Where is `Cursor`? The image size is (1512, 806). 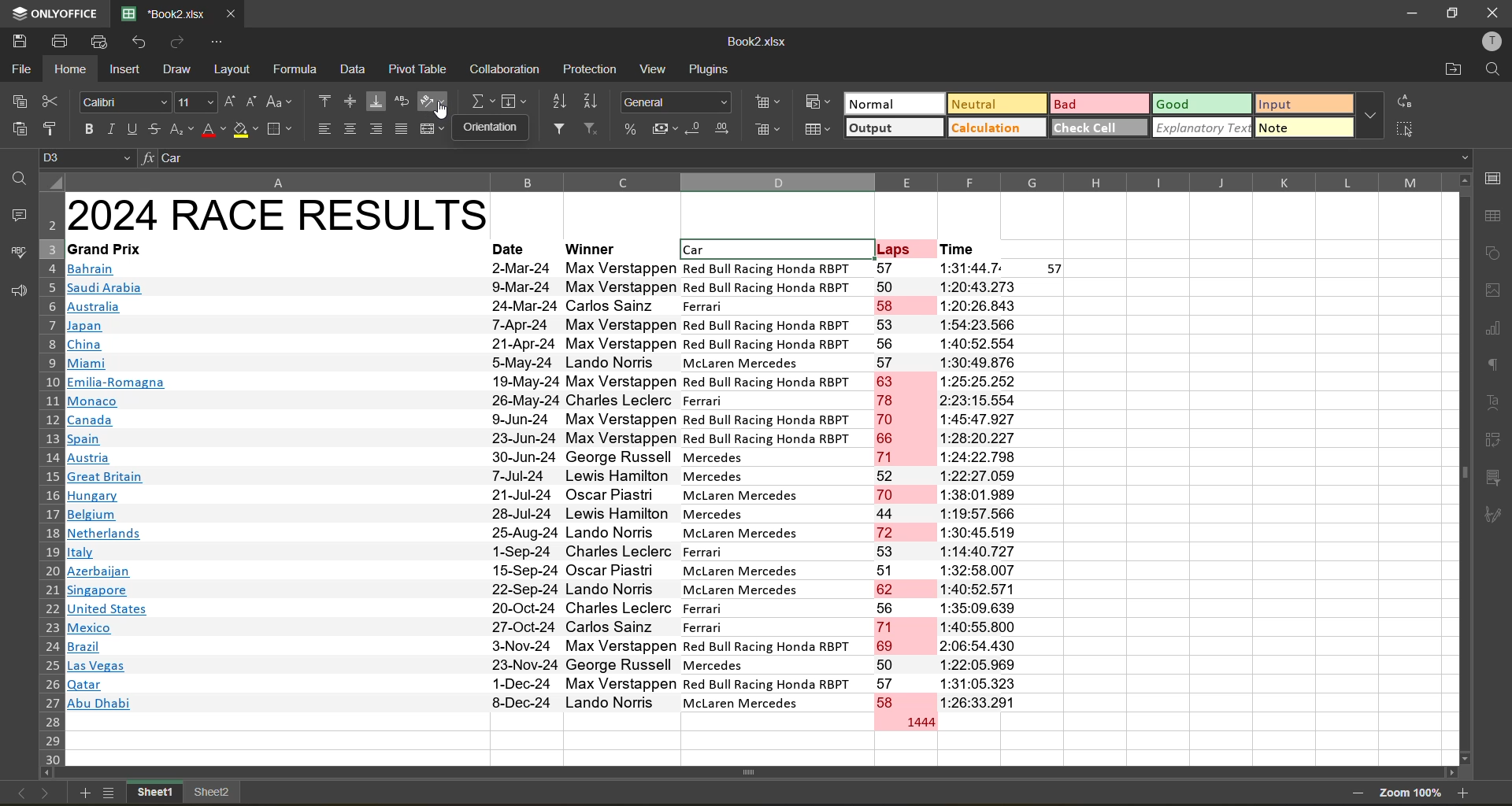
Cursor is located at coordinates (439, 113).